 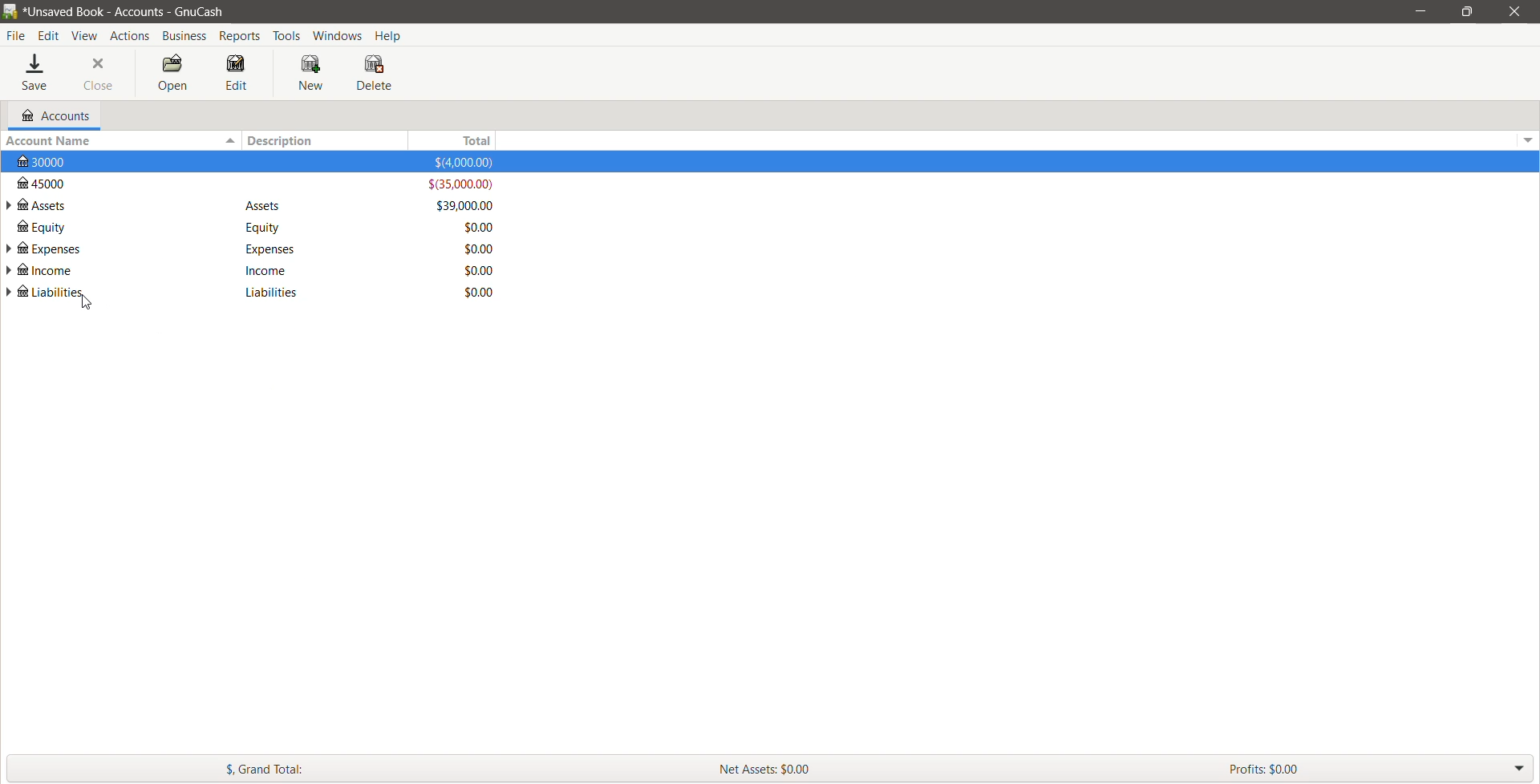 What do you see at coordinates (265, 249) in the screenshot?
I see `details of the account "Expenses"` at bounding box center [265, 249].